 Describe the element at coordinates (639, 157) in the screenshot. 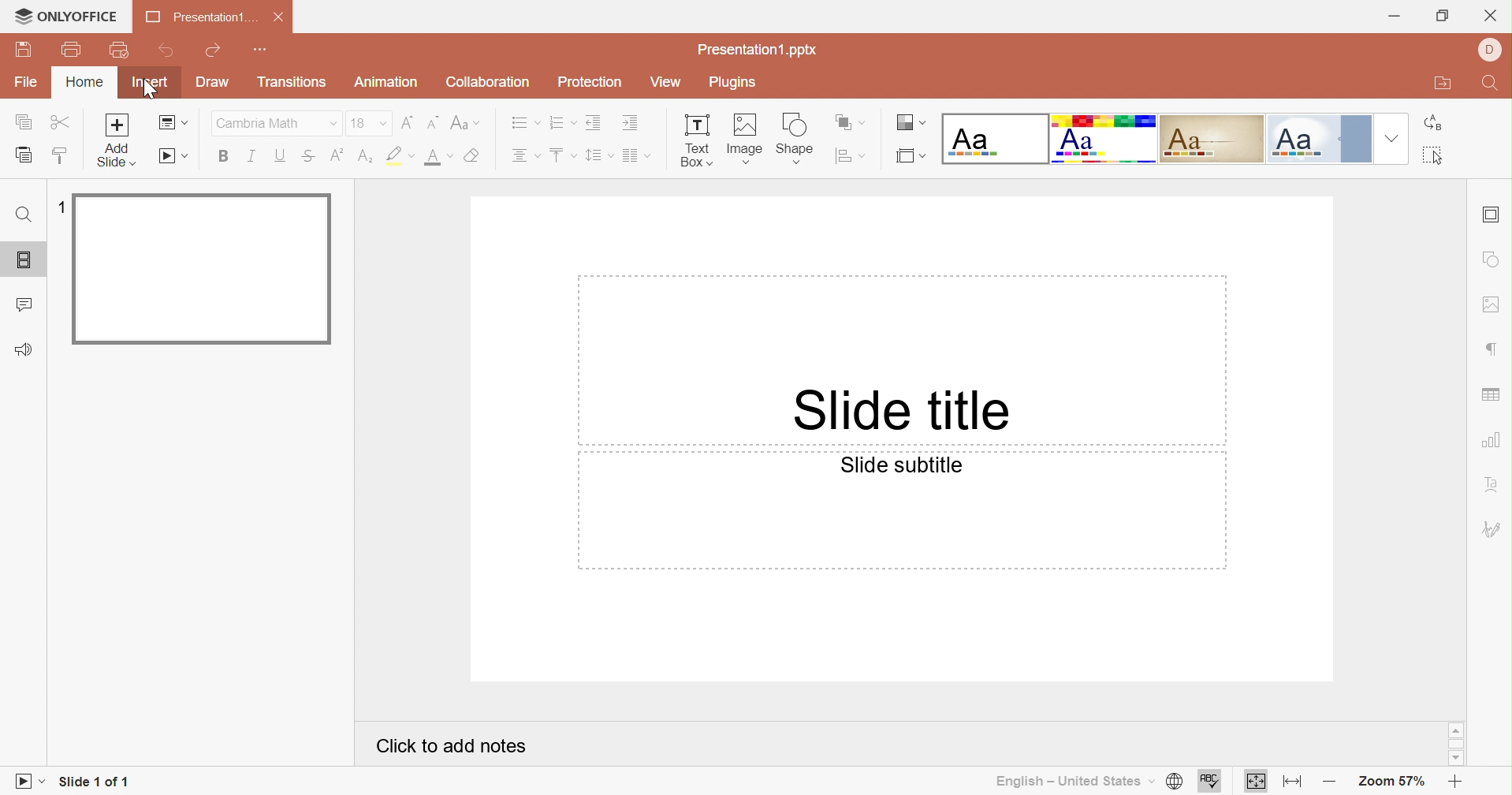

I see `Merge and center` at that location.